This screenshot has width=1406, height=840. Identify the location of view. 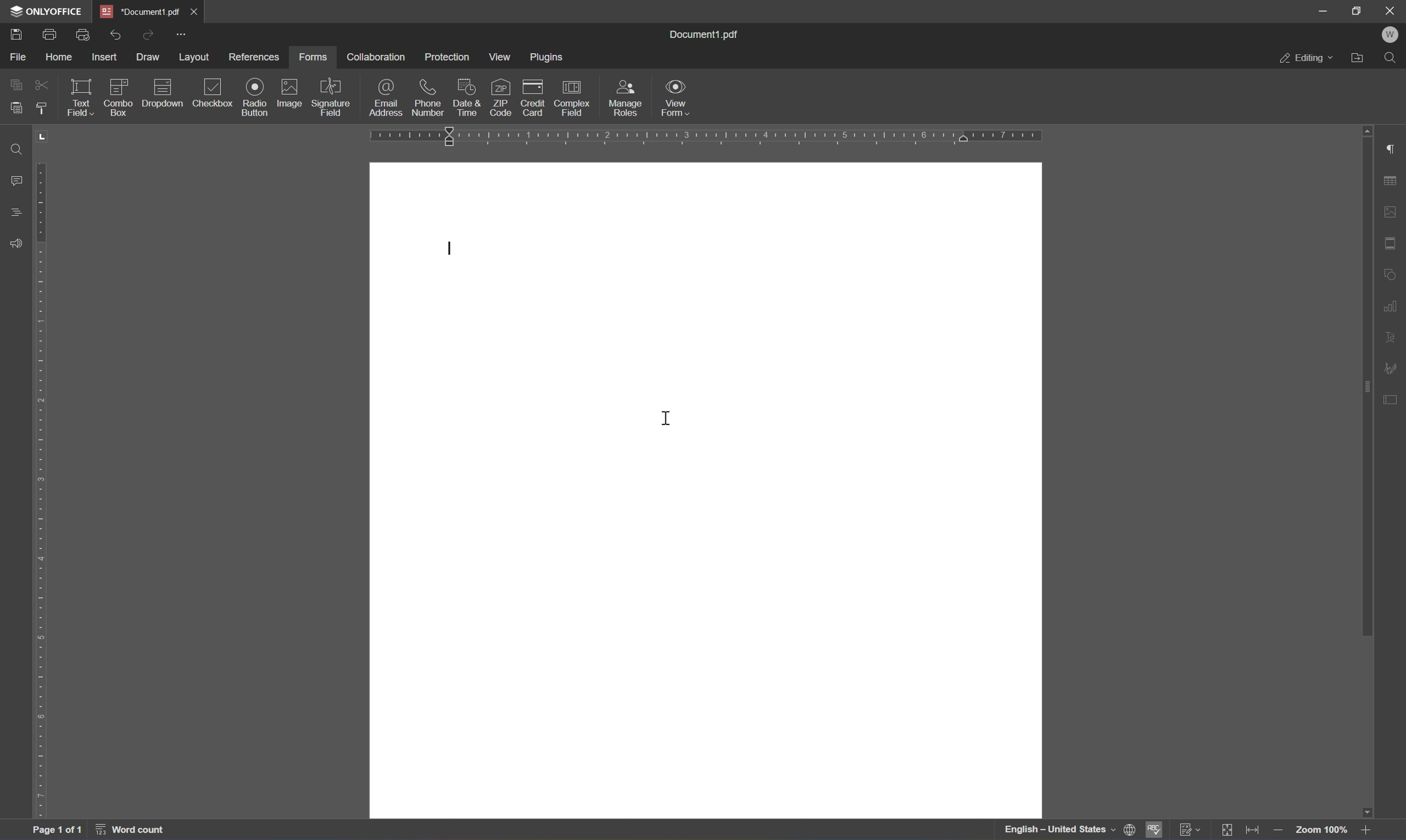
(503, 58).